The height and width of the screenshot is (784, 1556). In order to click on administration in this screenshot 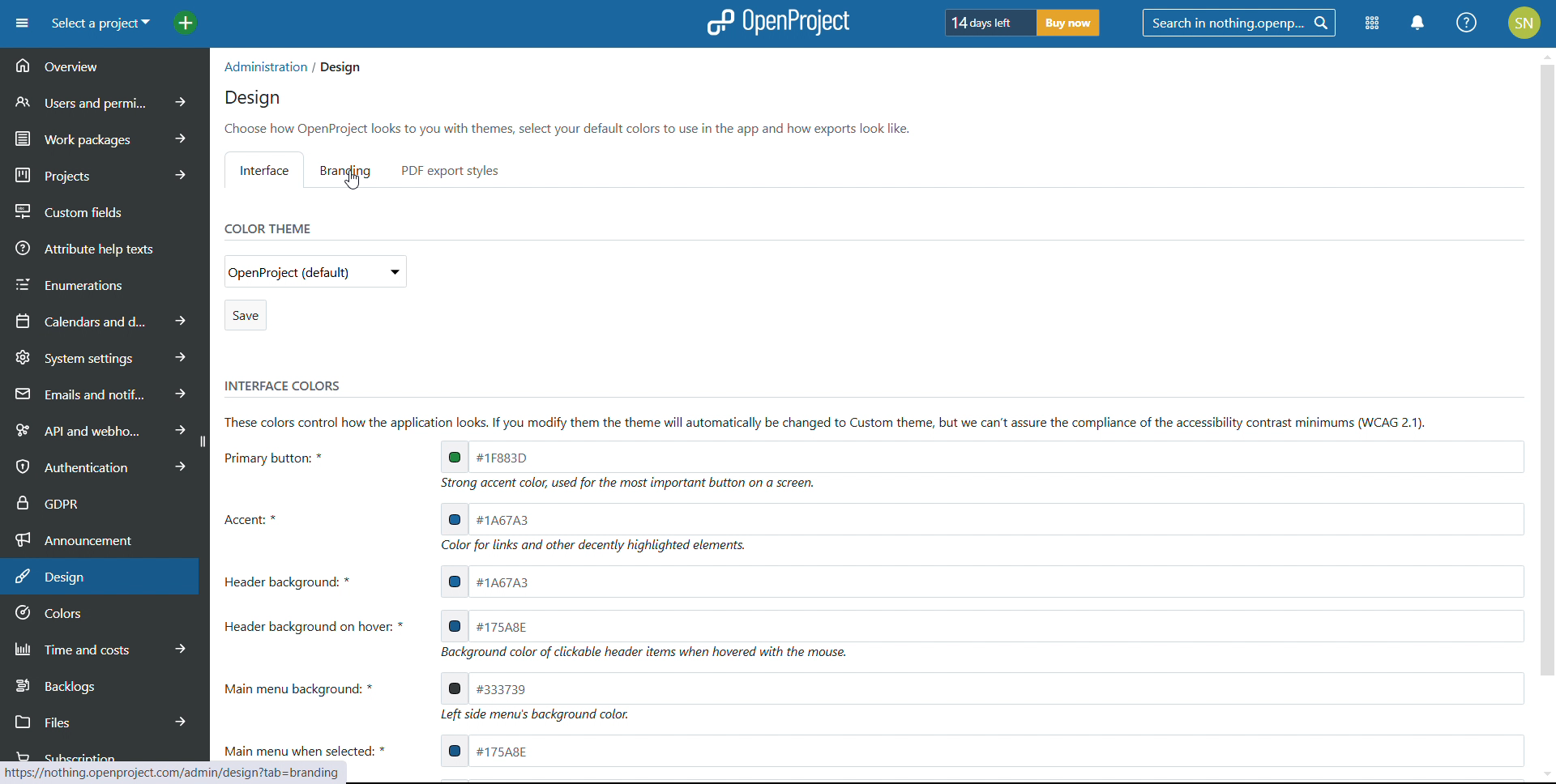, I will do `click(263, 66)`.